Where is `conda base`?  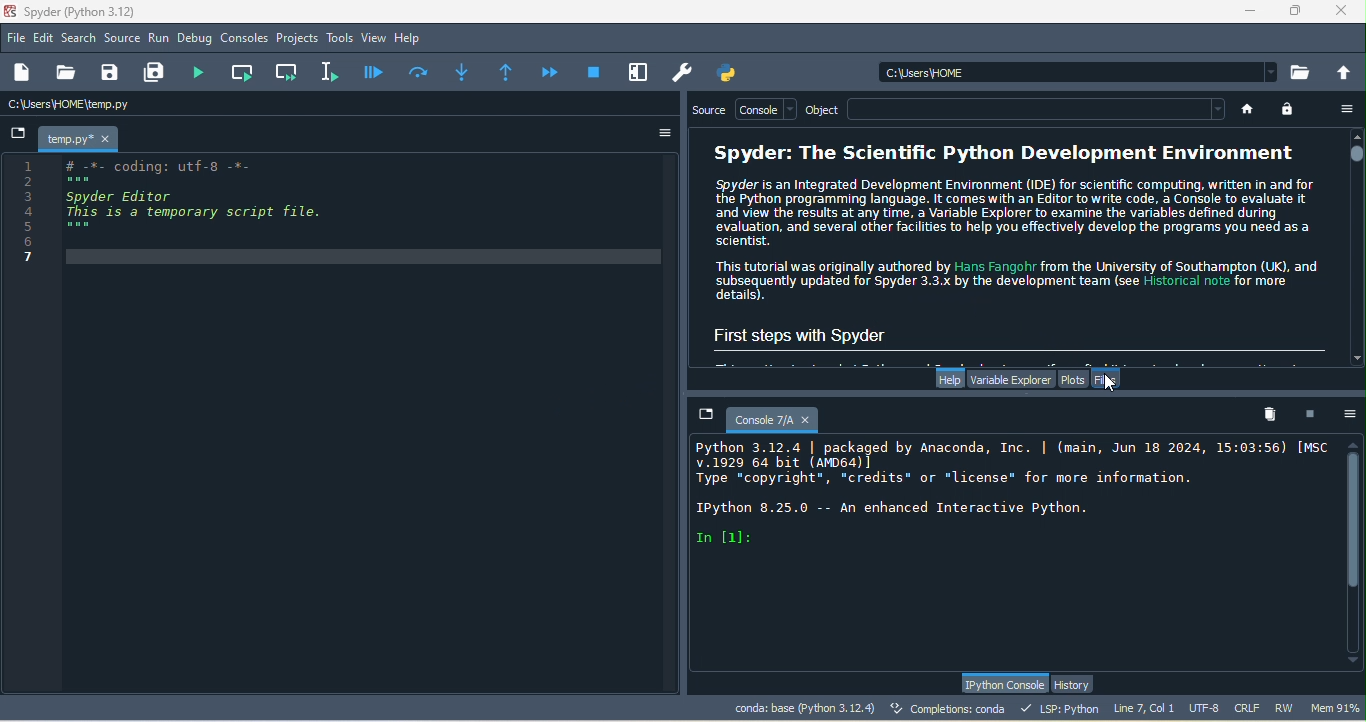 conda base is located at coordinates (804, 708).